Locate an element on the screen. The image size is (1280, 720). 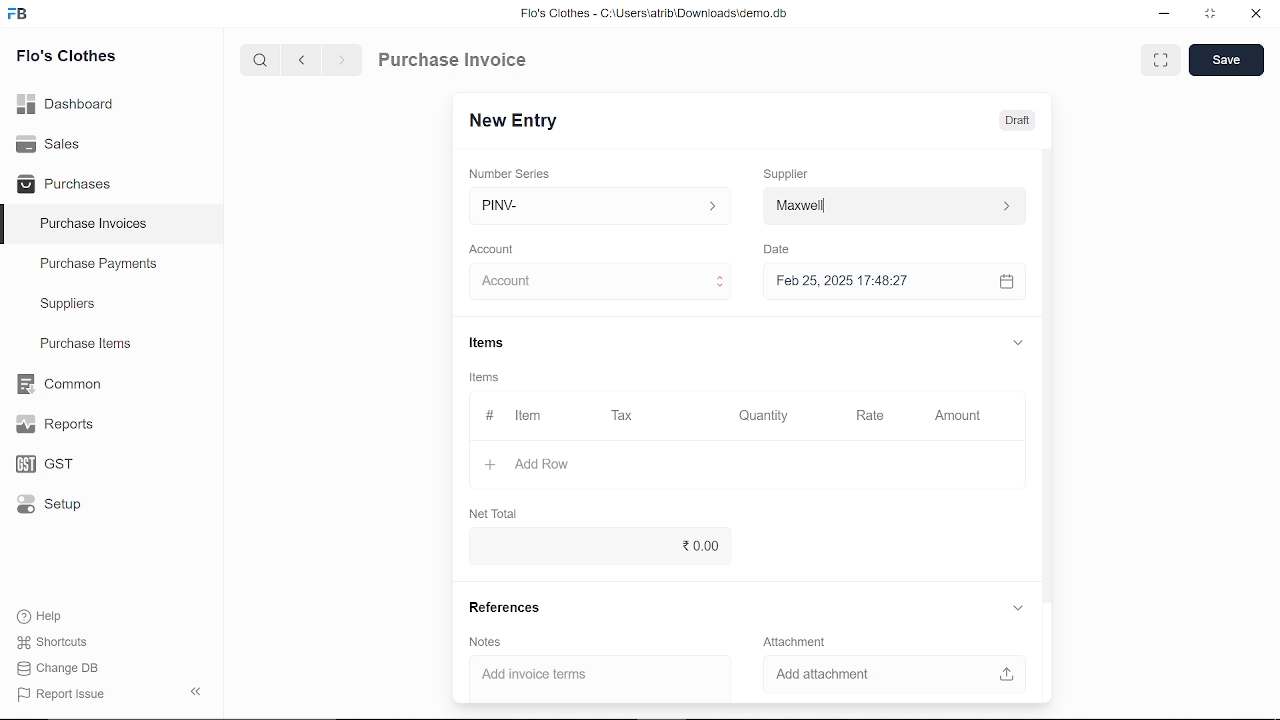
Supplier is located at coordinates (797, 172).